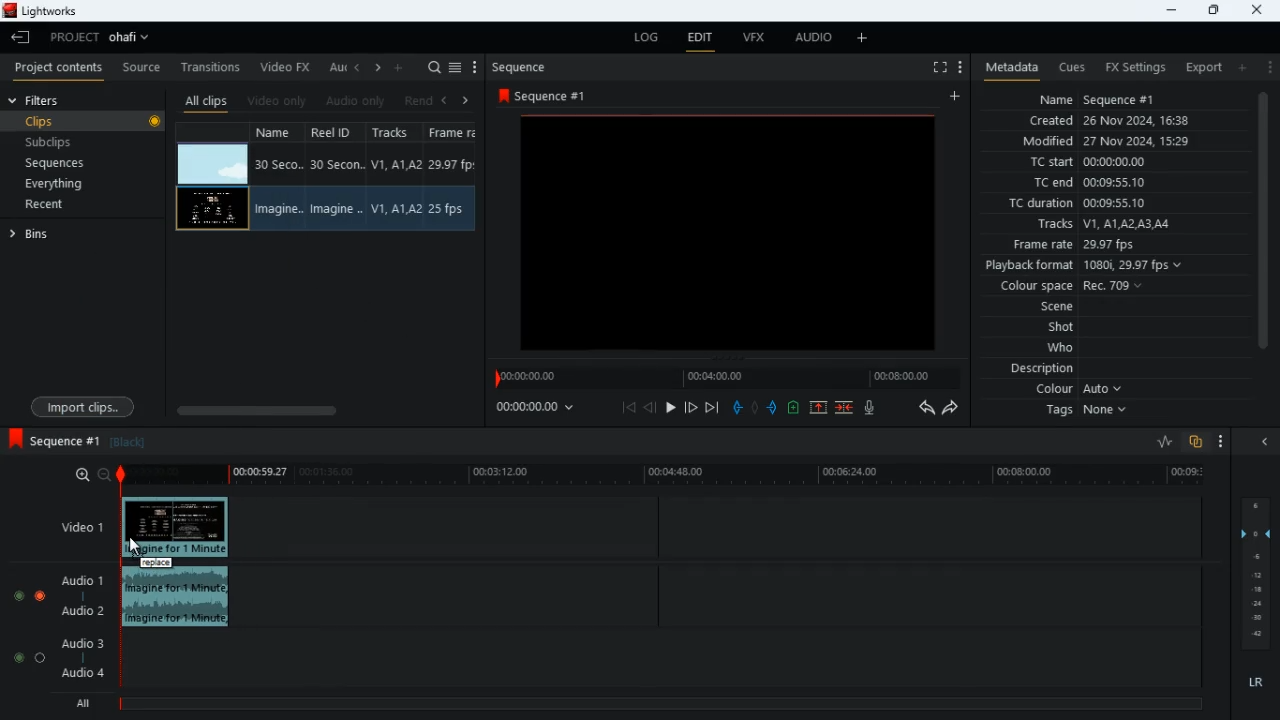  I want to click on created, so click(1111, 122).